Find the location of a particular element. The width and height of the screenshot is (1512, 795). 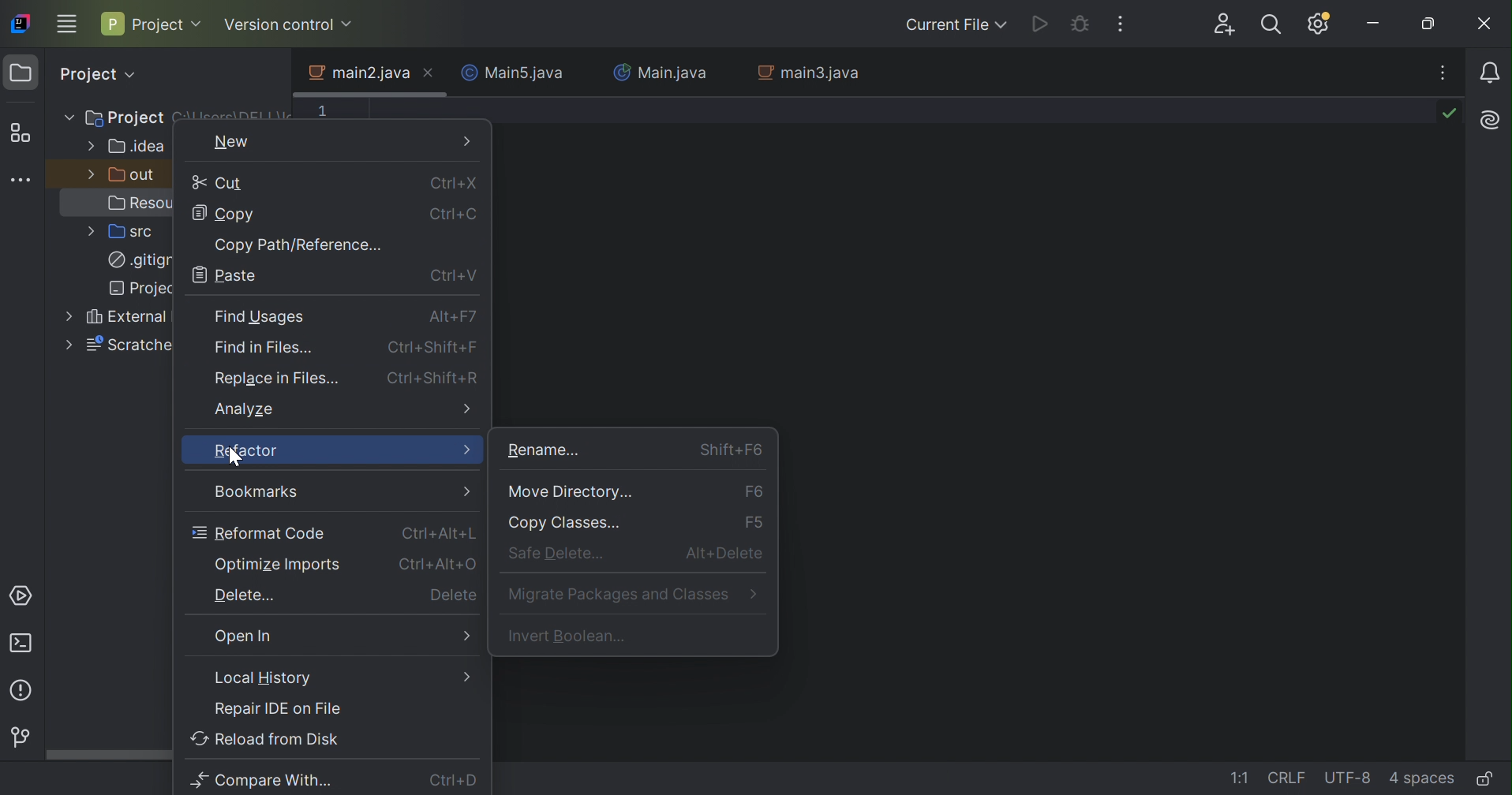

Analyze is located at coordinates (244, 412).